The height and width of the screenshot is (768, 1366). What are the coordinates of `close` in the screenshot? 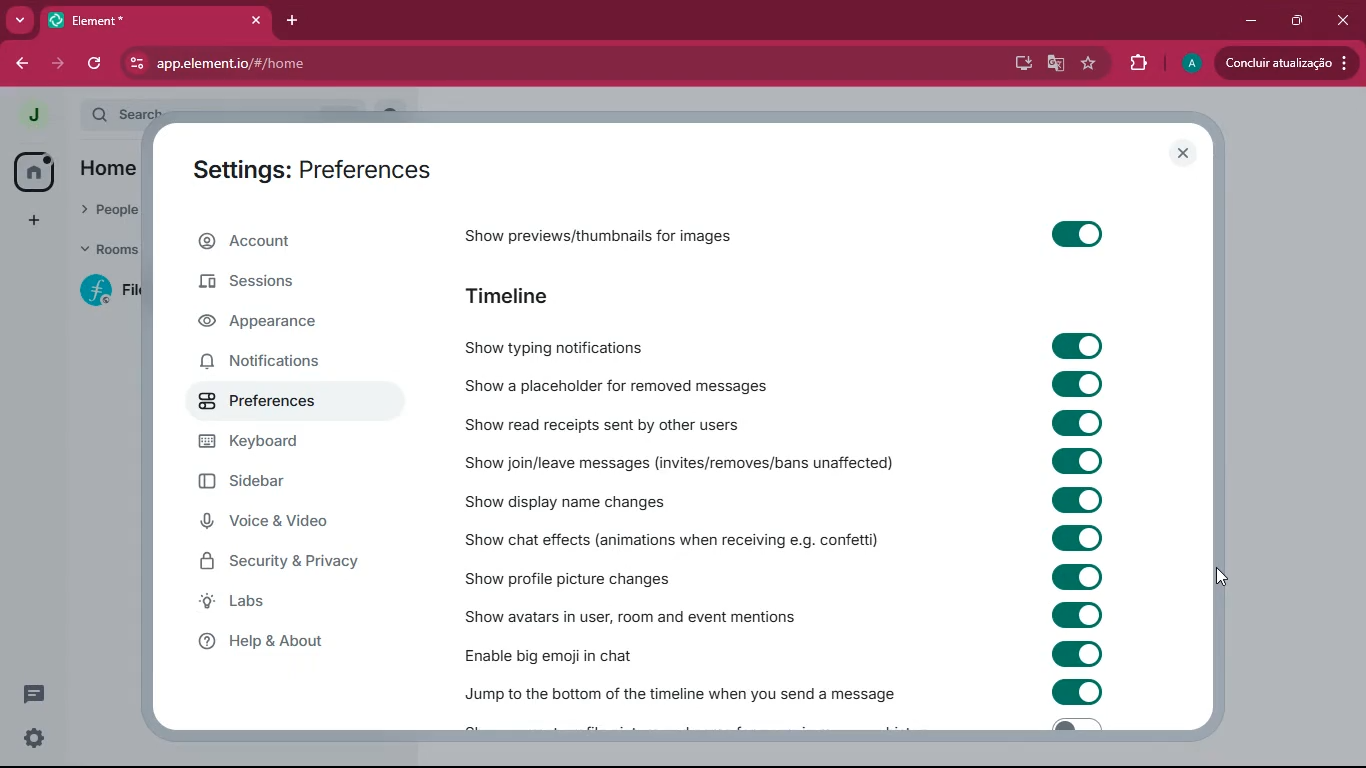 It's located at (1185, 154).